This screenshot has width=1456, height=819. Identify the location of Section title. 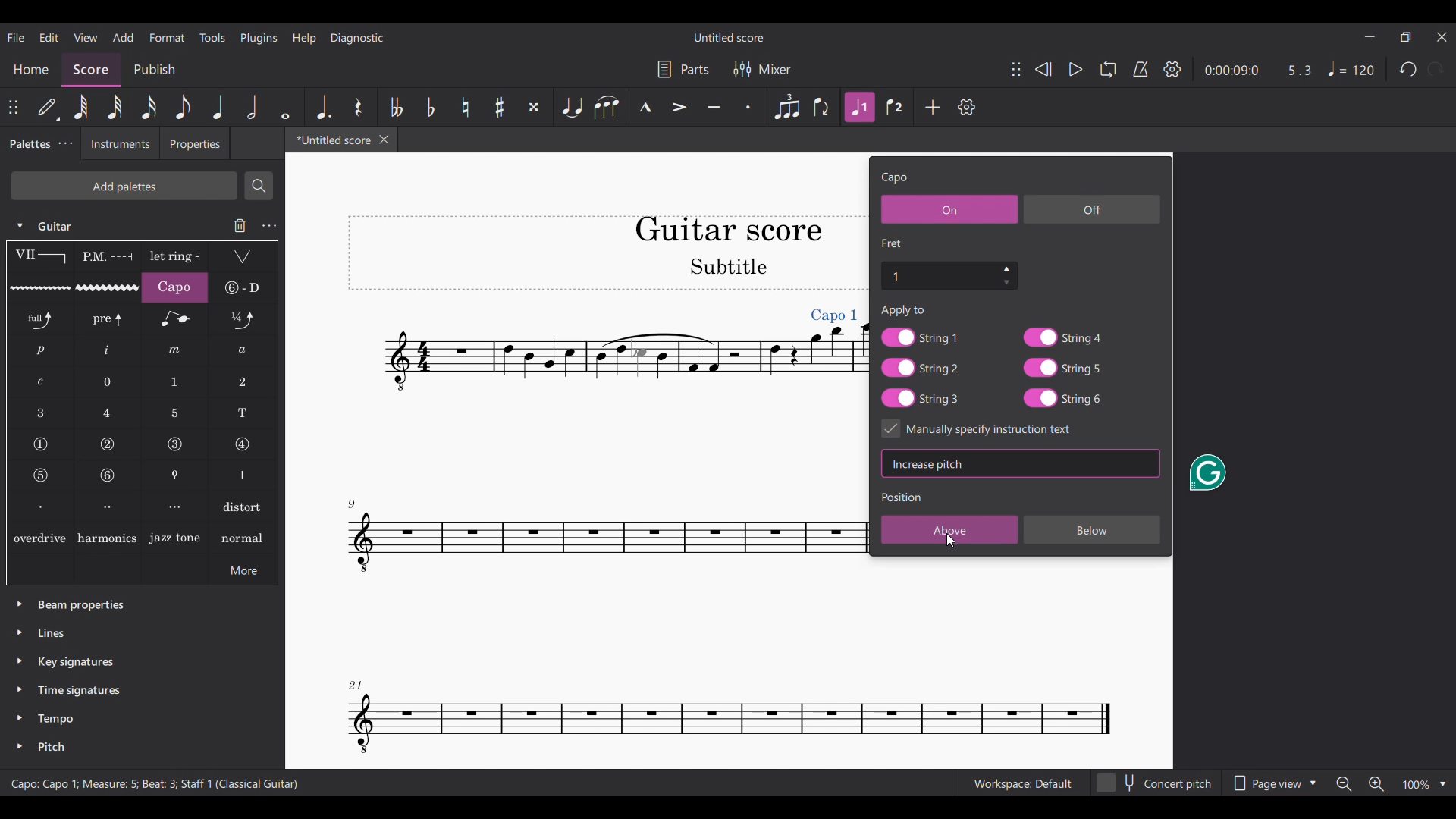
(902, 496).